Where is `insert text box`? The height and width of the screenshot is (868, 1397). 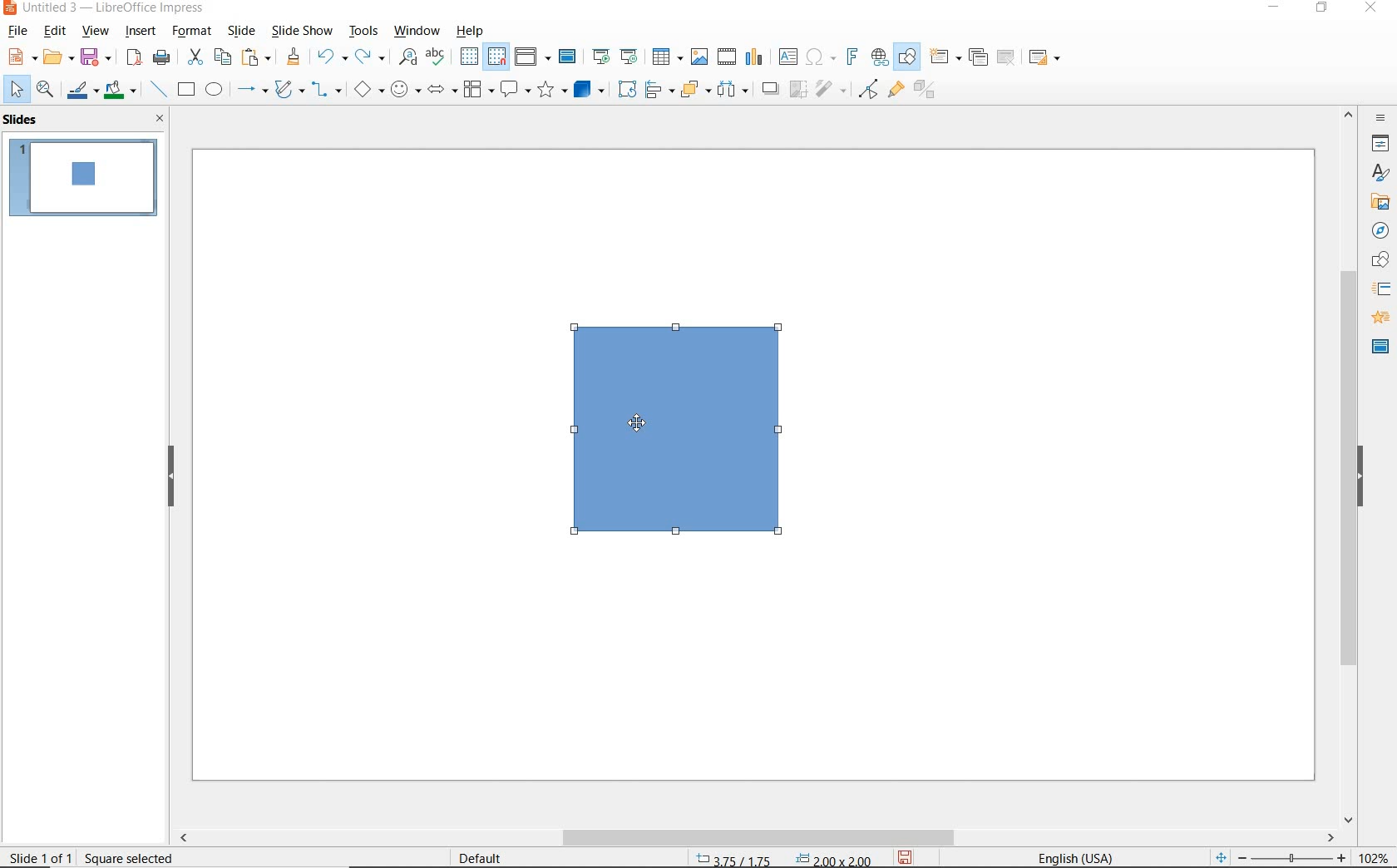 insert text box is located at coordinates (787, 56).